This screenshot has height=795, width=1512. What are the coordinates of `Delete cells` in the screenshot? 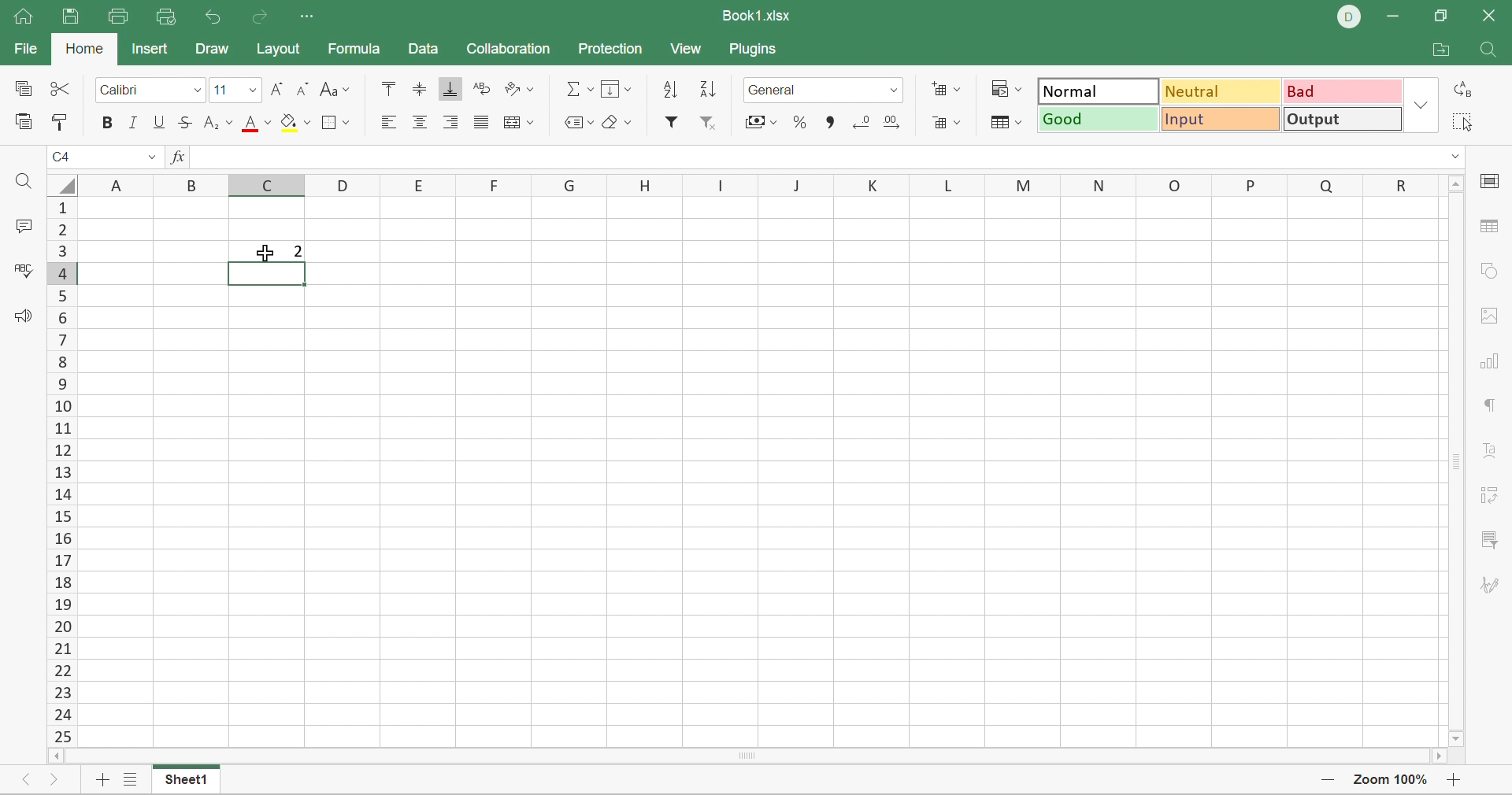 It's located at (948, 124).